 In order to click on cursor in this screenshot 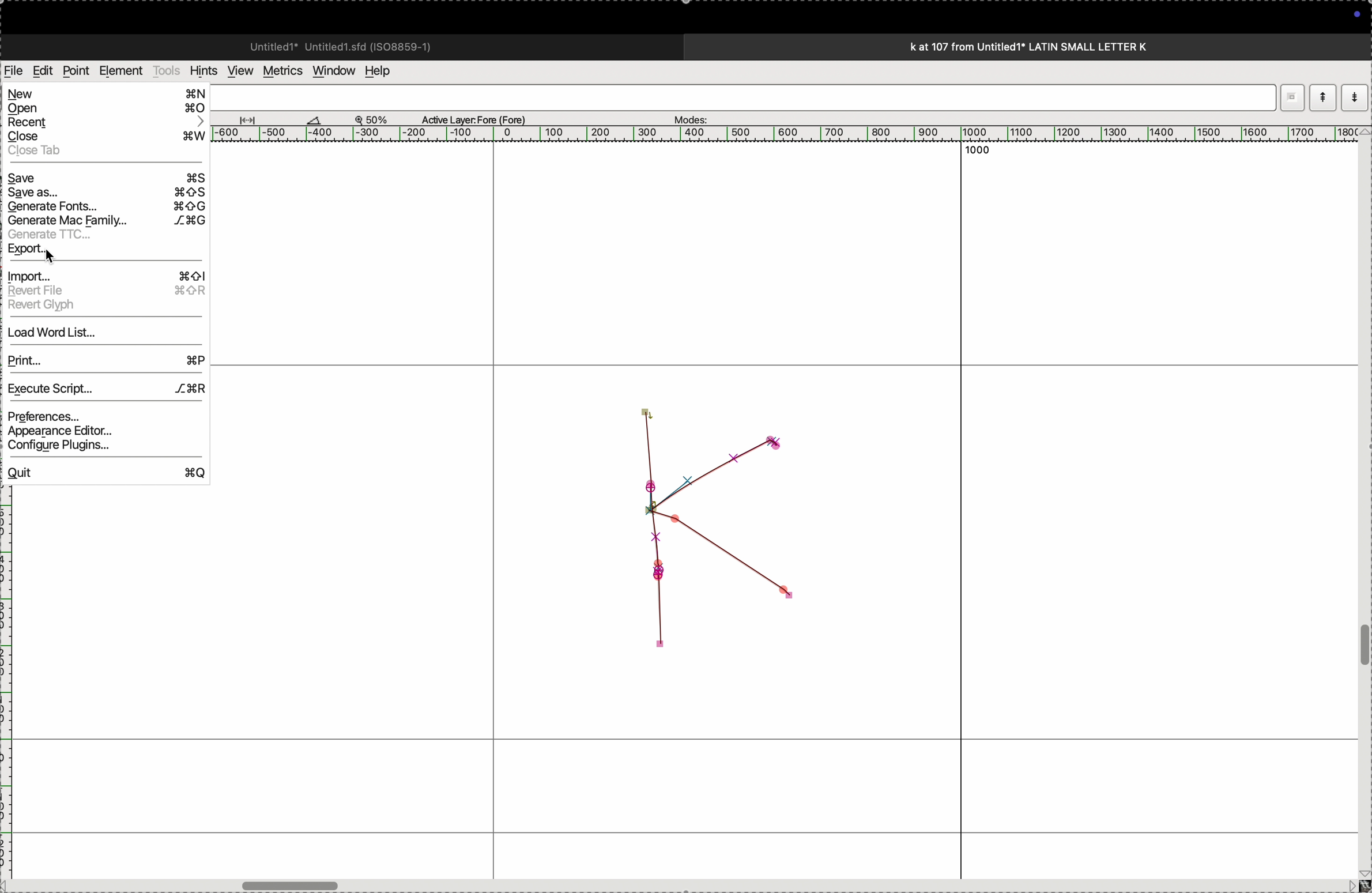, I will do `click(28, 78)`.